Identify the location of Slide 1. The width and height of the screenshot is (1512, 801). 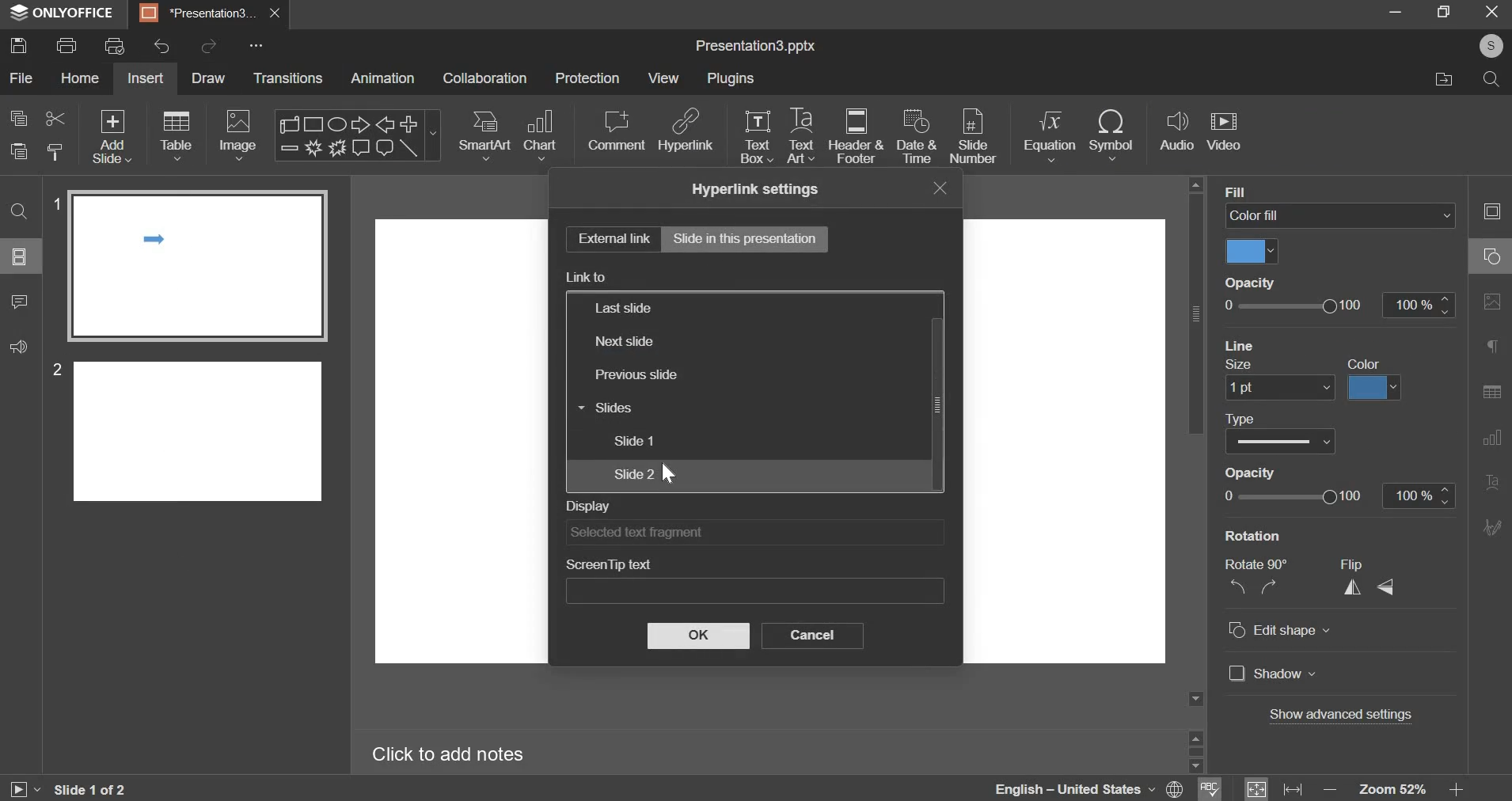
(662, 441).